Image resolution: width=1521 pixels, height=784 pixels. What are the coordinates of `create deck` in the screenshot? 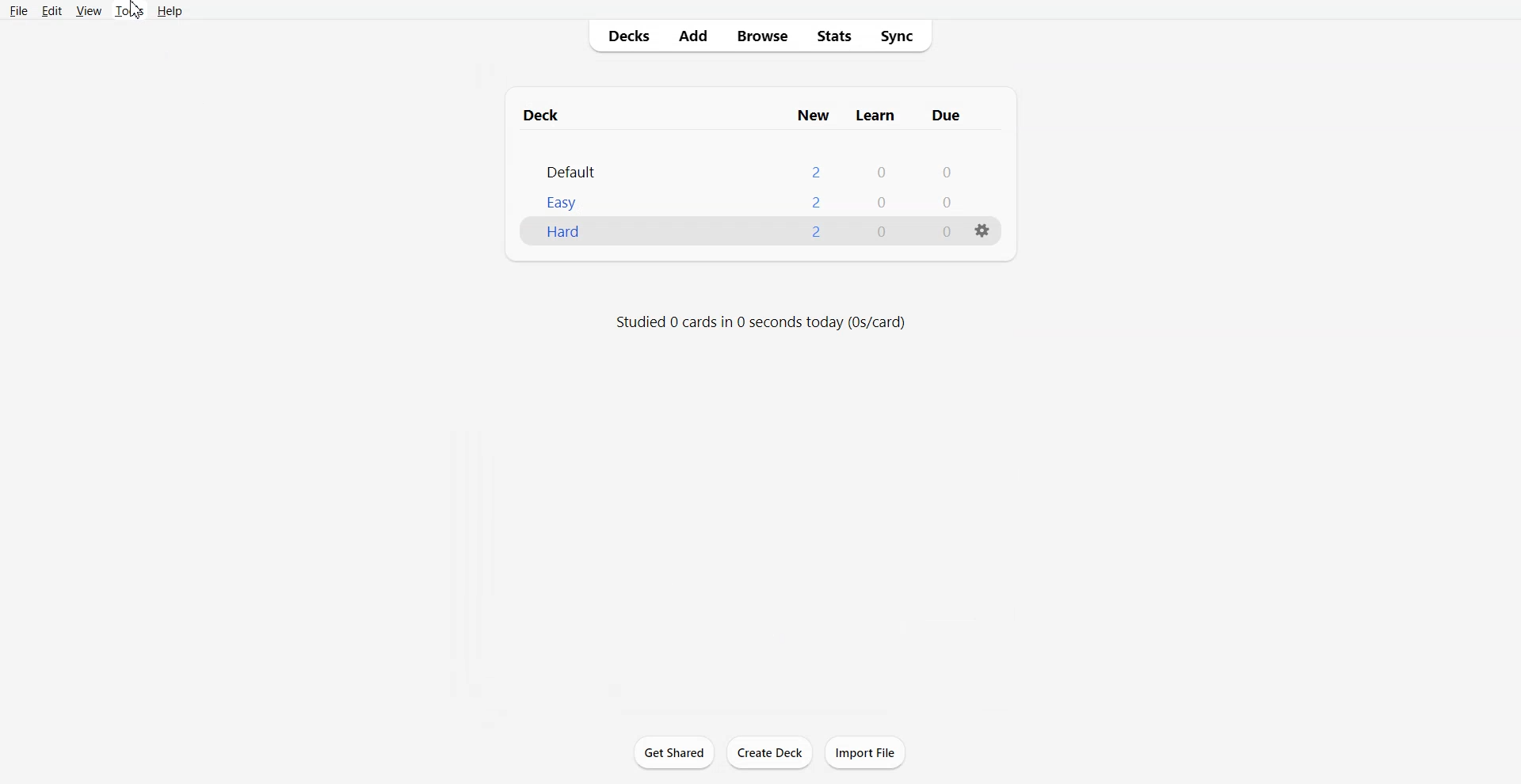 It's located at (777, 752).